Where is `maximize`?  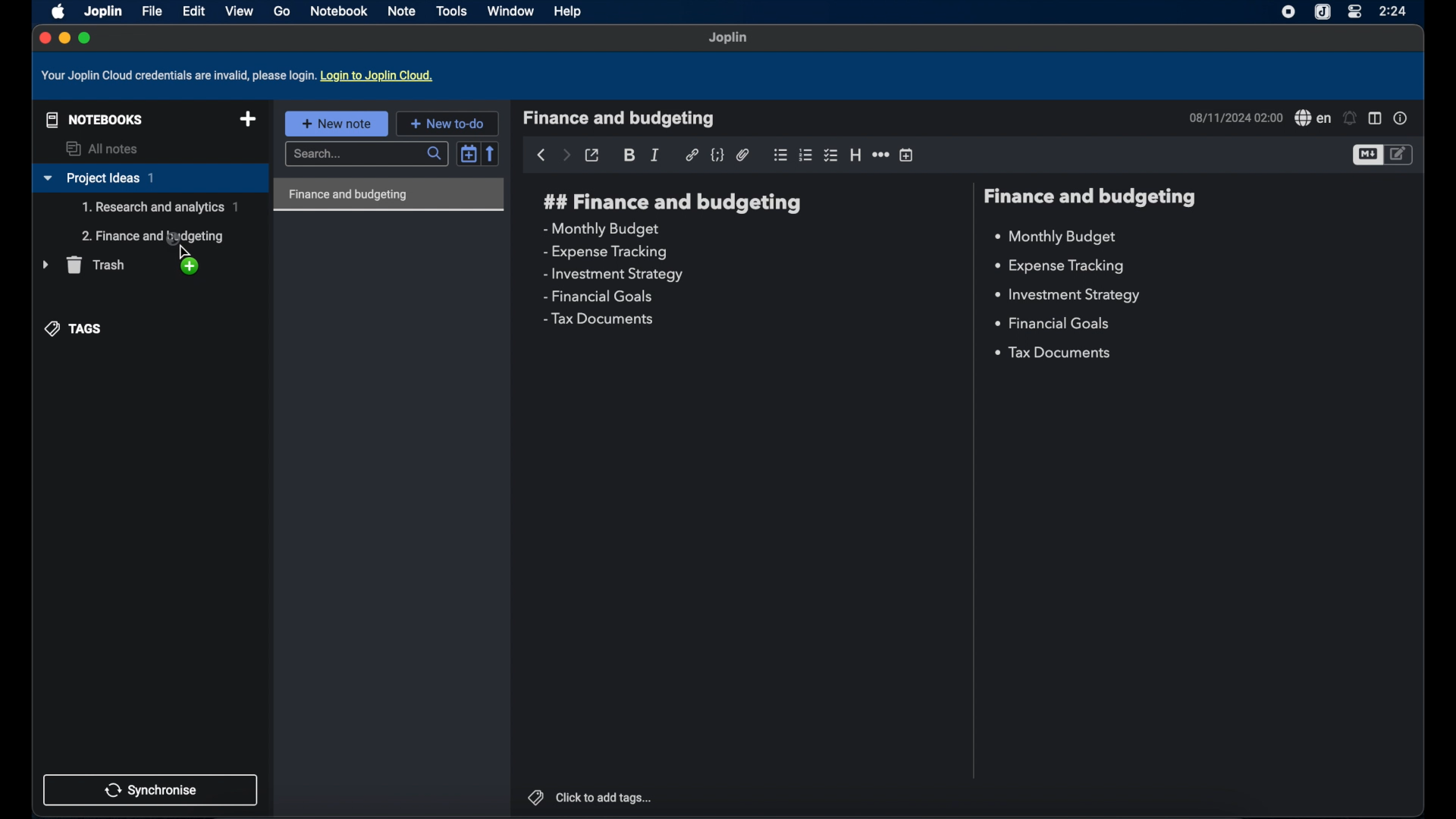 maximize is located at coordinates (86, 38).